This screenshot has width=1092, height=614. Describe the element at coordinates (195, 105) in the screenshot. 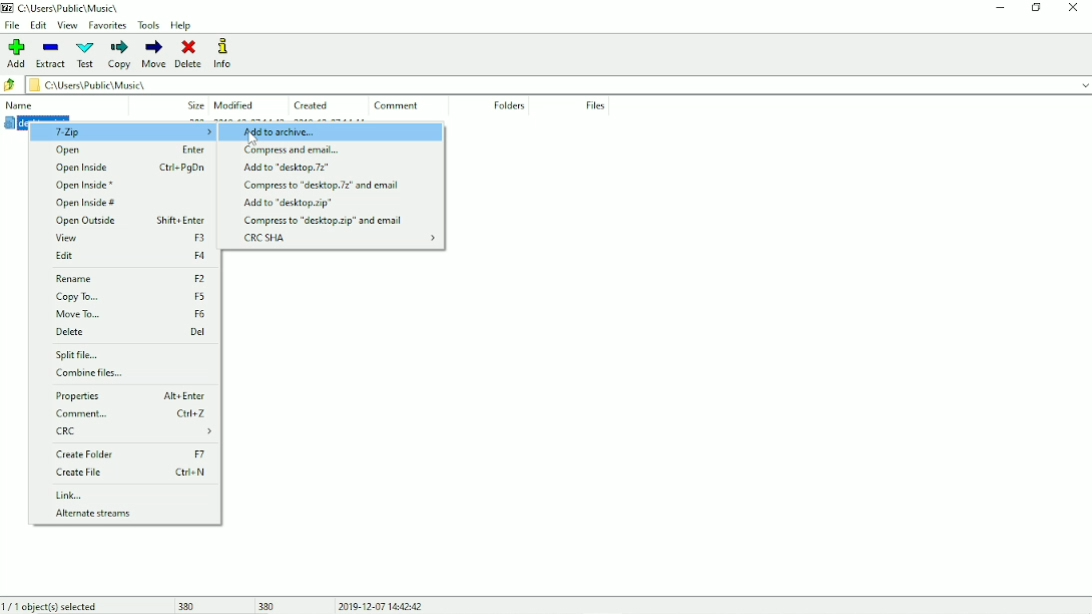

I see `Size` at that location.